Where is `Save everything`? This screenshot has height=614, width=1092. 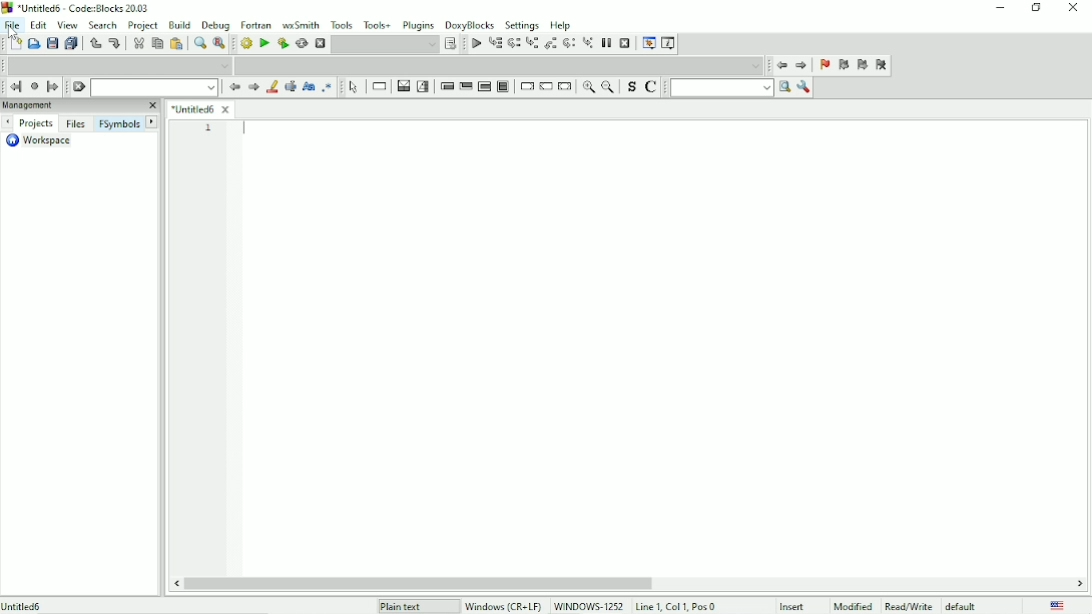
Save everything is located at coordinates (72, 43).